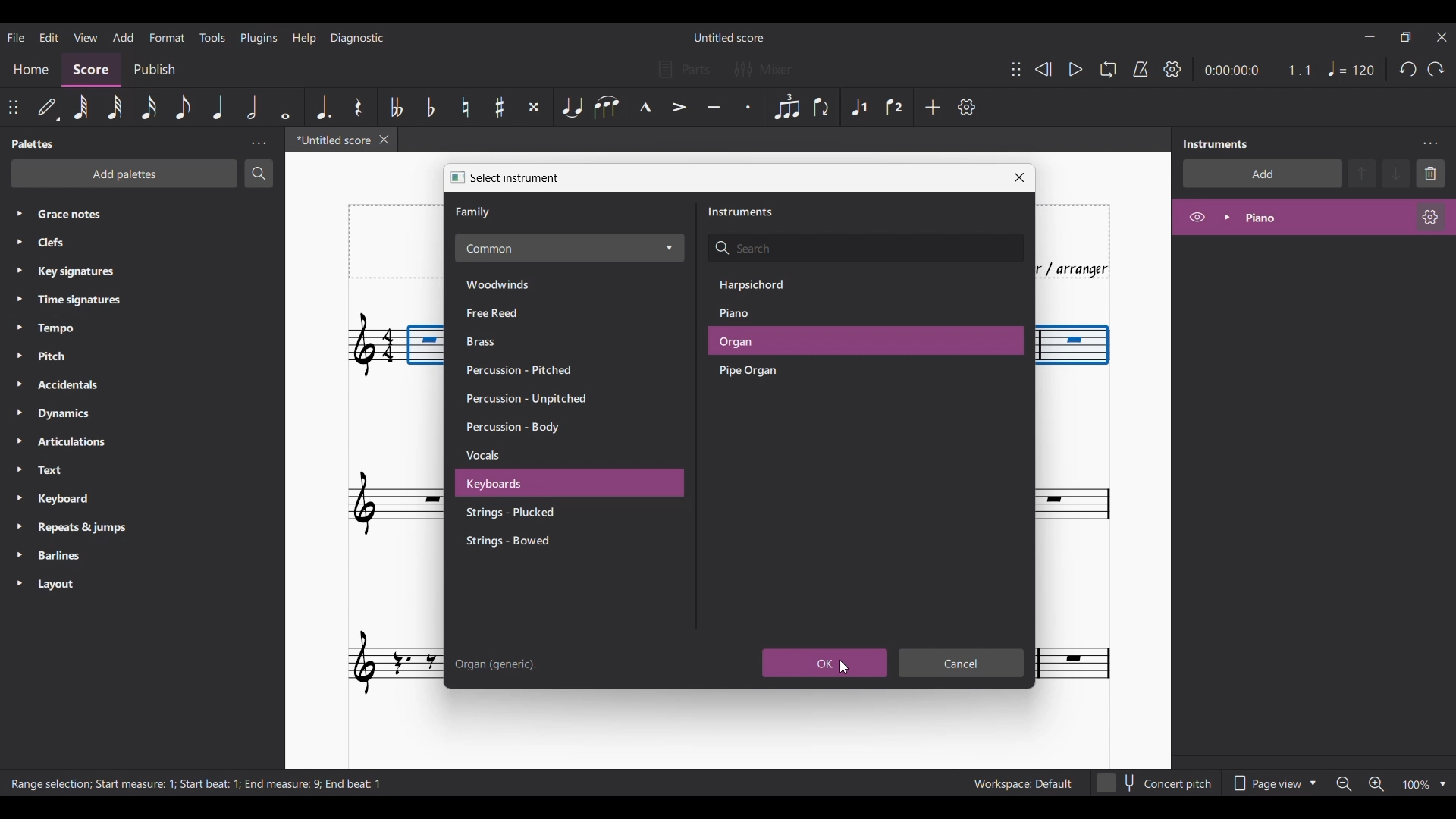 The height and width of the screenshot is (819, 1456). I want to click on 8th note, so click(184, 107).